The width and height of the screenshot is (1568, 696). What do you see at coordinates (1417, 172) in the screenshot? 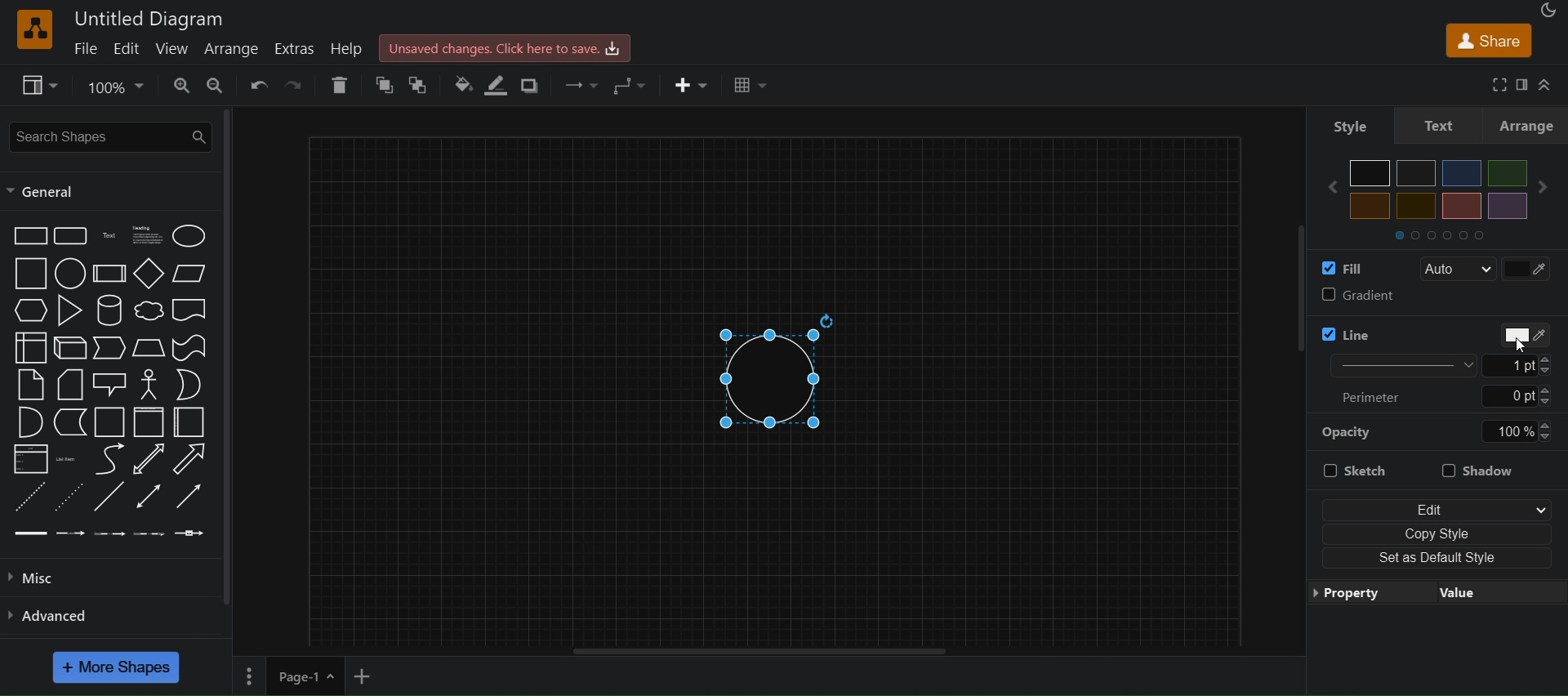
I see `grey color` at bounding box center [1417, 172].